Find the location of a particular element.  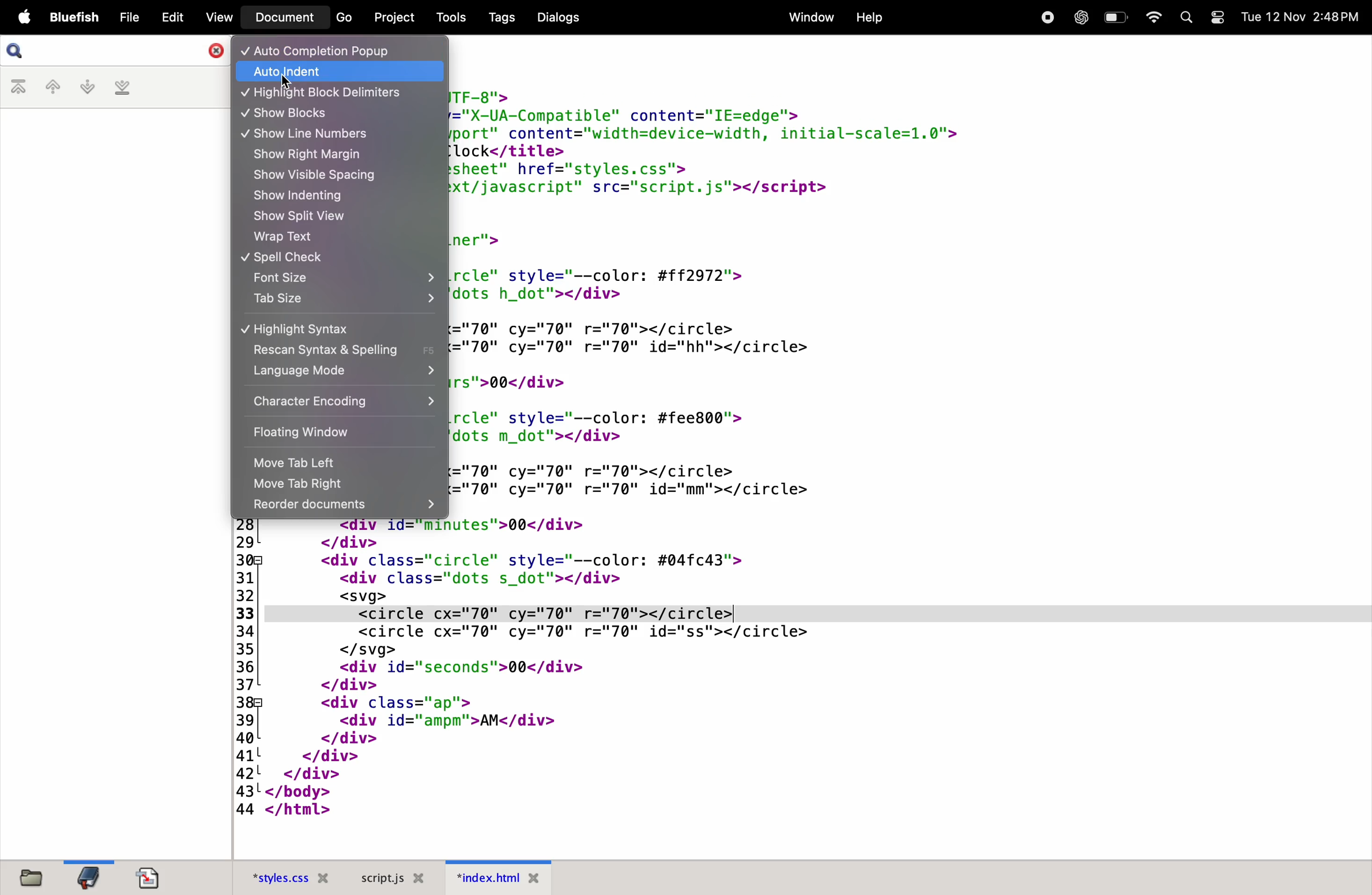

tab size is located at coordinates (341, 300).